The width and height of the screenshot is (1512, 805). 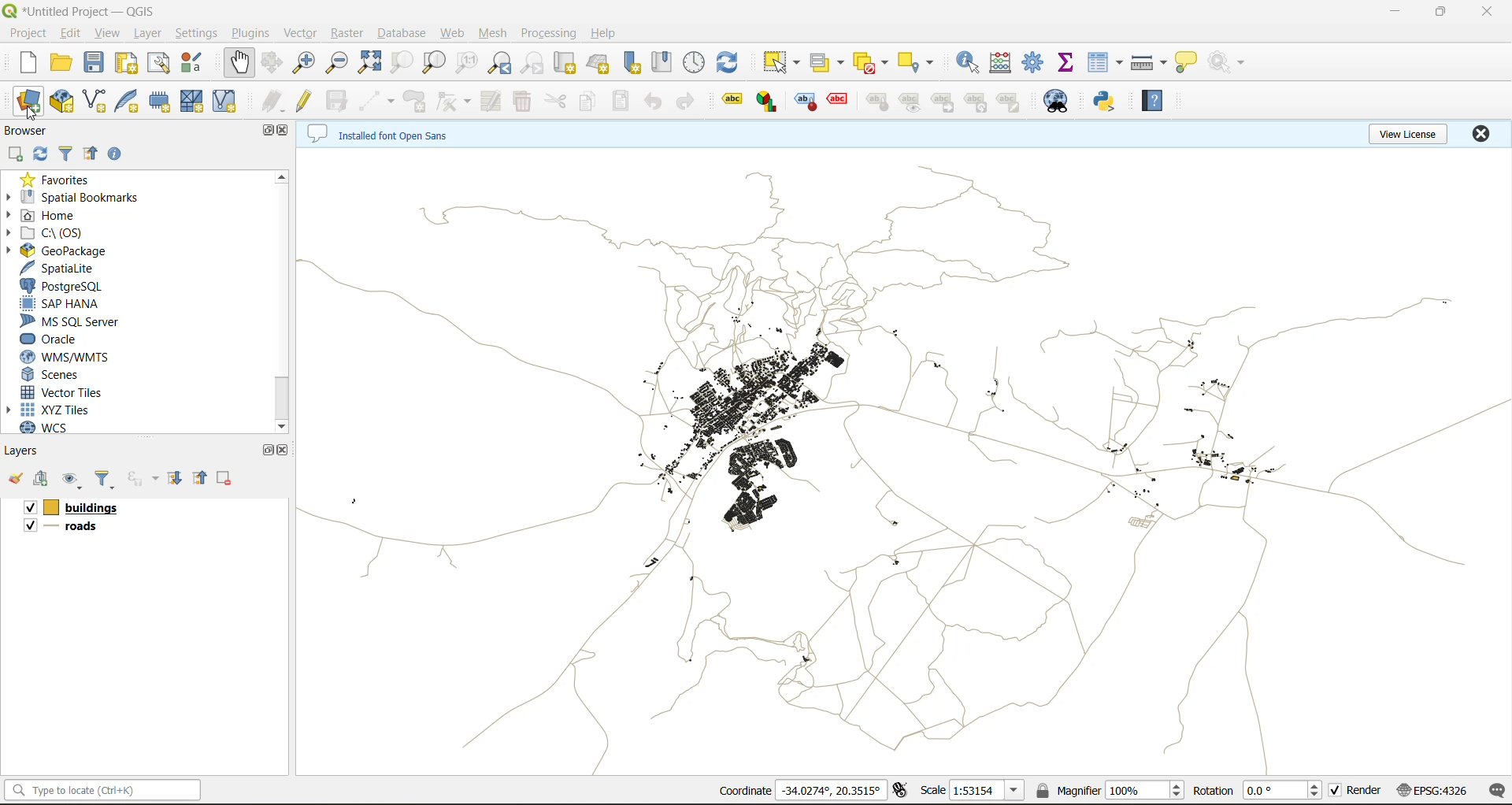 What do you see at coordinates (382, 135) in the screenshot?
I see `metadata` at bounding box center [382, 135].